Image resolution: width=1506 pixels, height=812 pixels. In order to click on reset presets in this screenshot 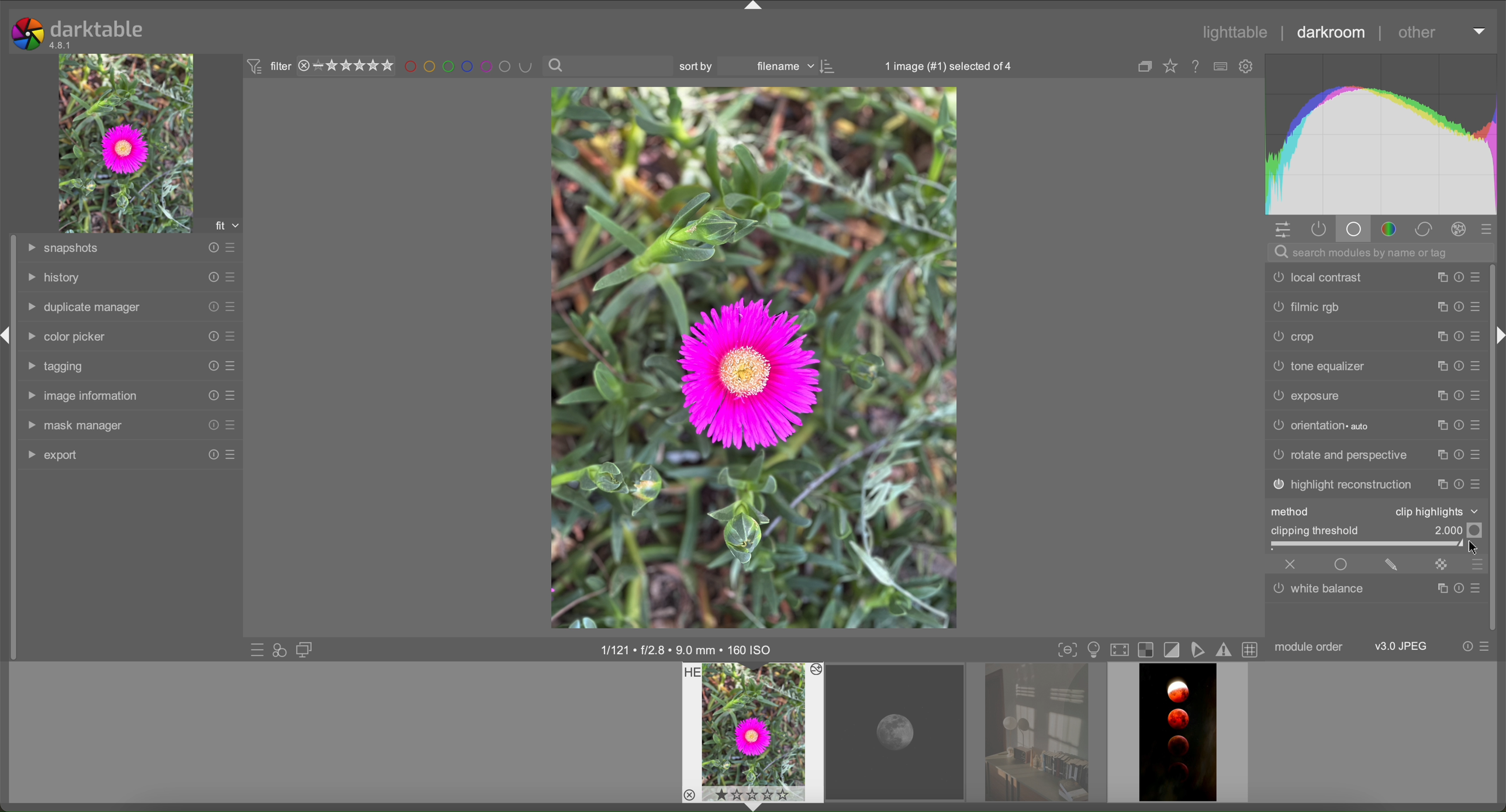, I will do `click(1456, 308)`.